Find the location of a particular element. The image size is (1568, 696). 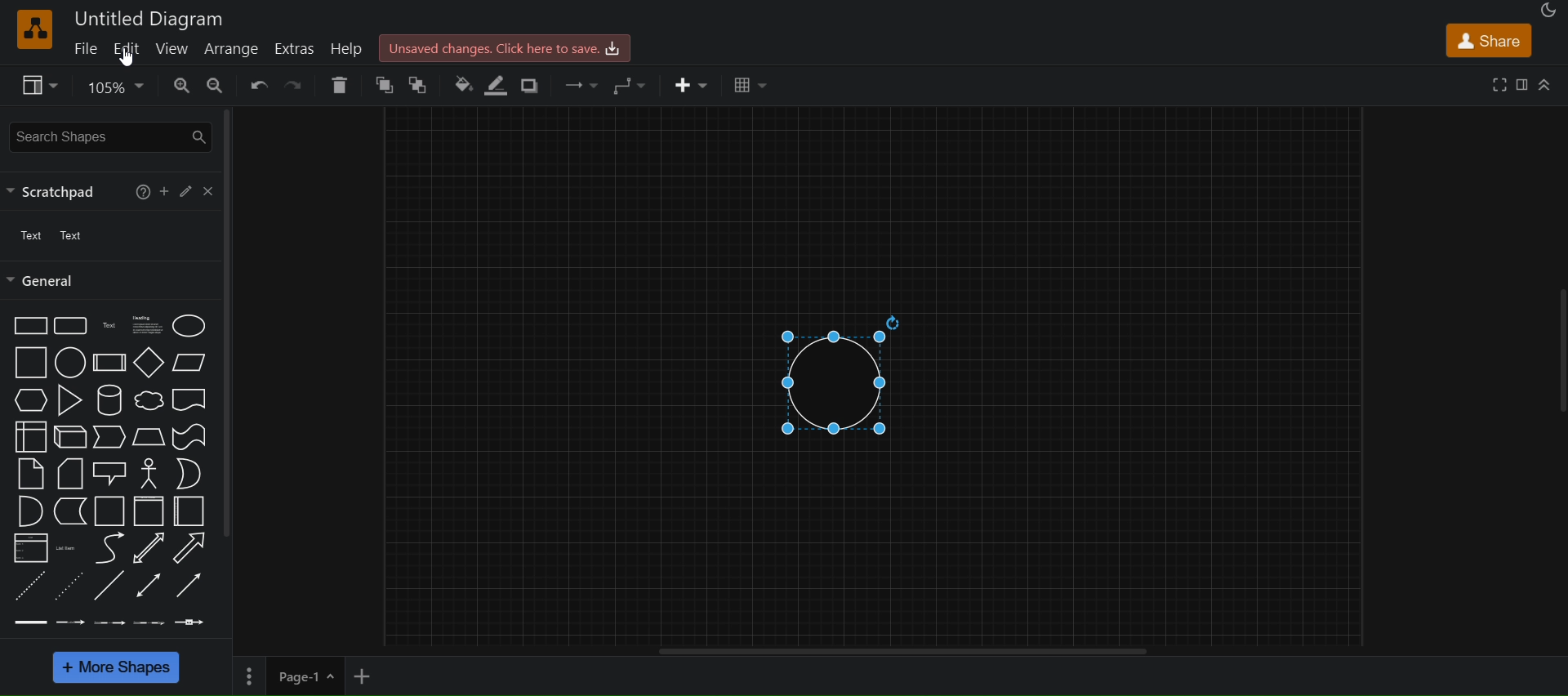

container is located at coordinates (107, 511).